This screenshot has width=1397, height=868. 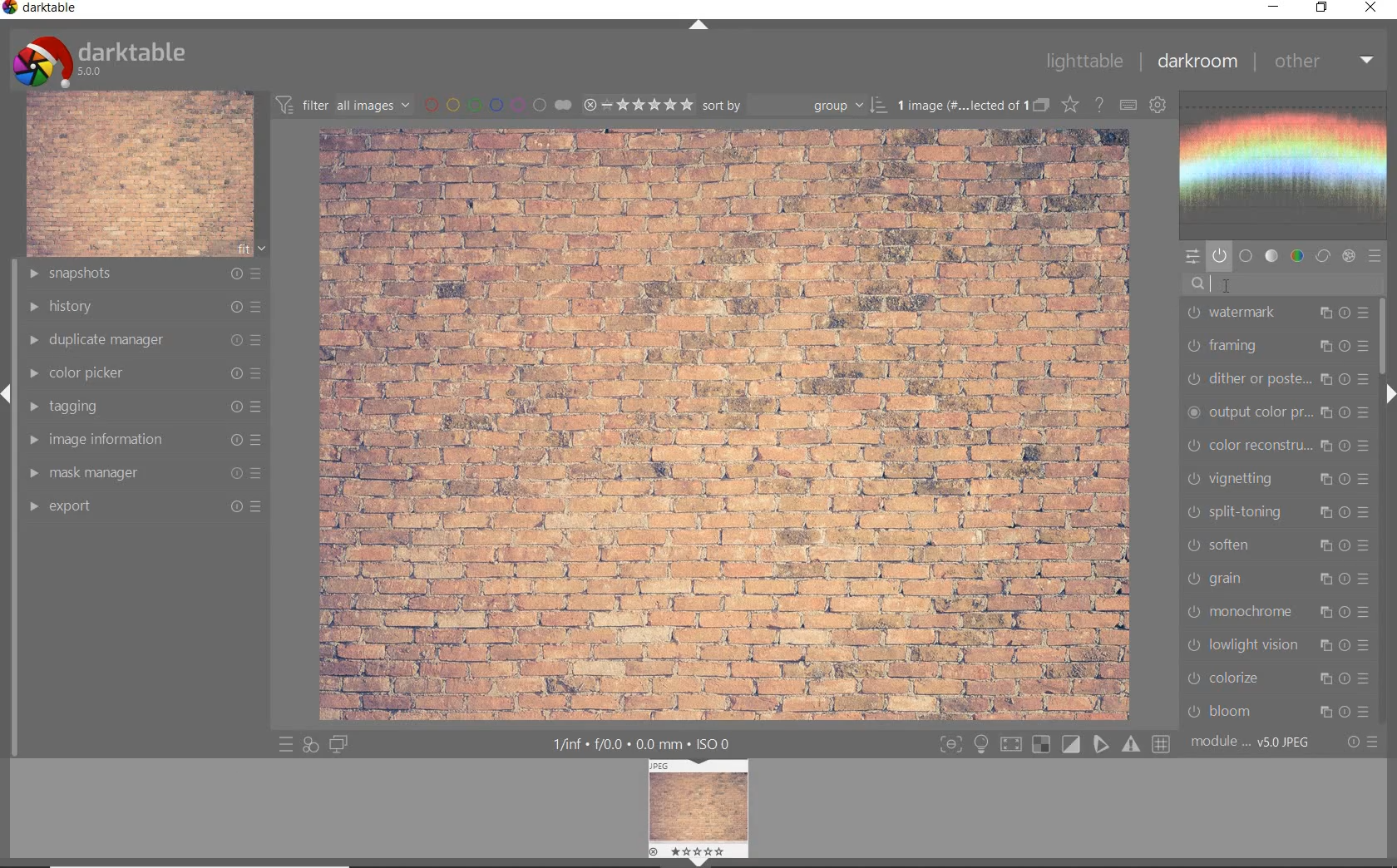 I want to click on module ...v5.0 JPEG, so click(x=1251, y=744).